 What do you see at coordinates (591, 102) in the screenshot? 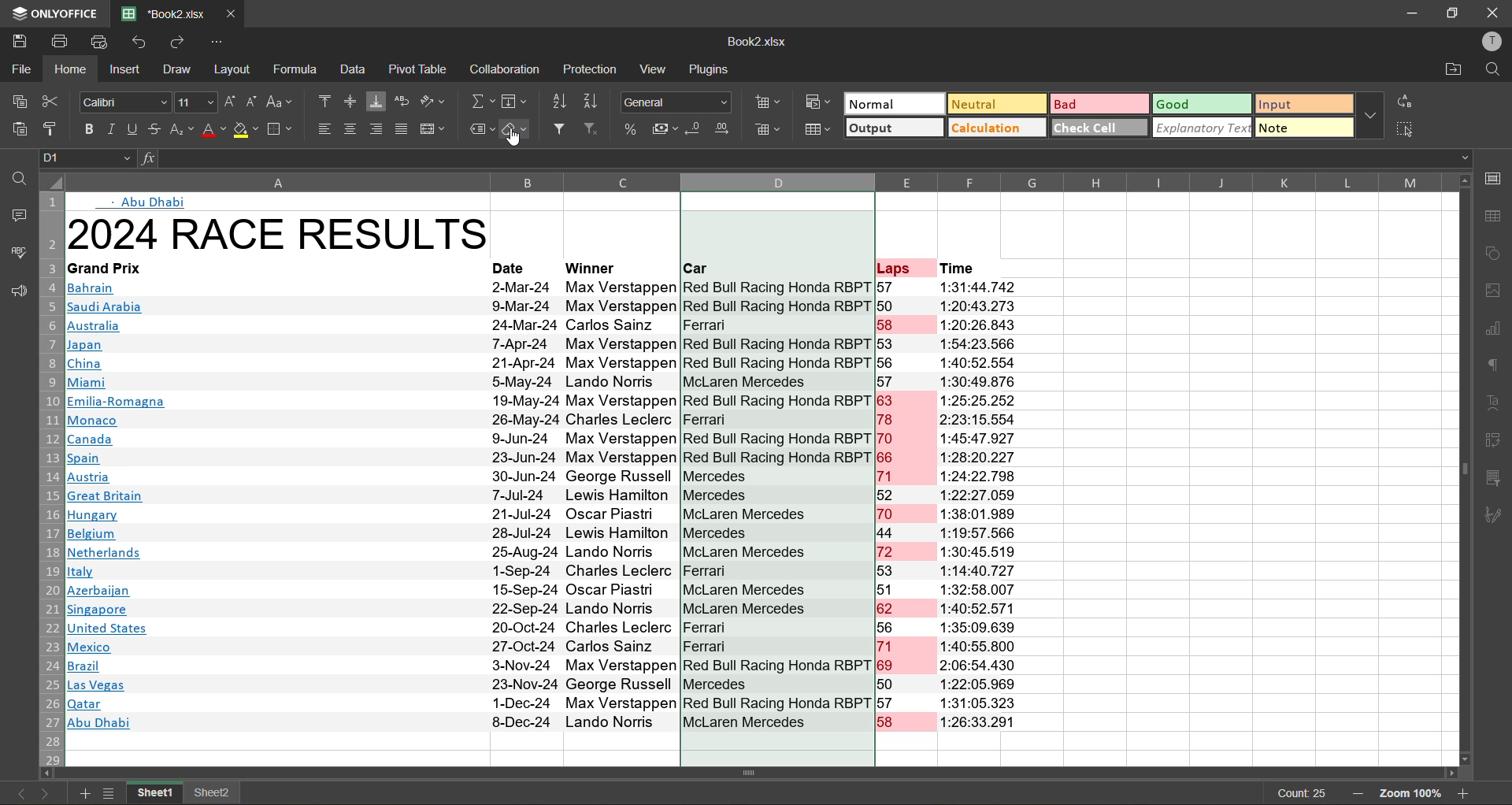
I see `sort descending` at bounding box center [591, 102].